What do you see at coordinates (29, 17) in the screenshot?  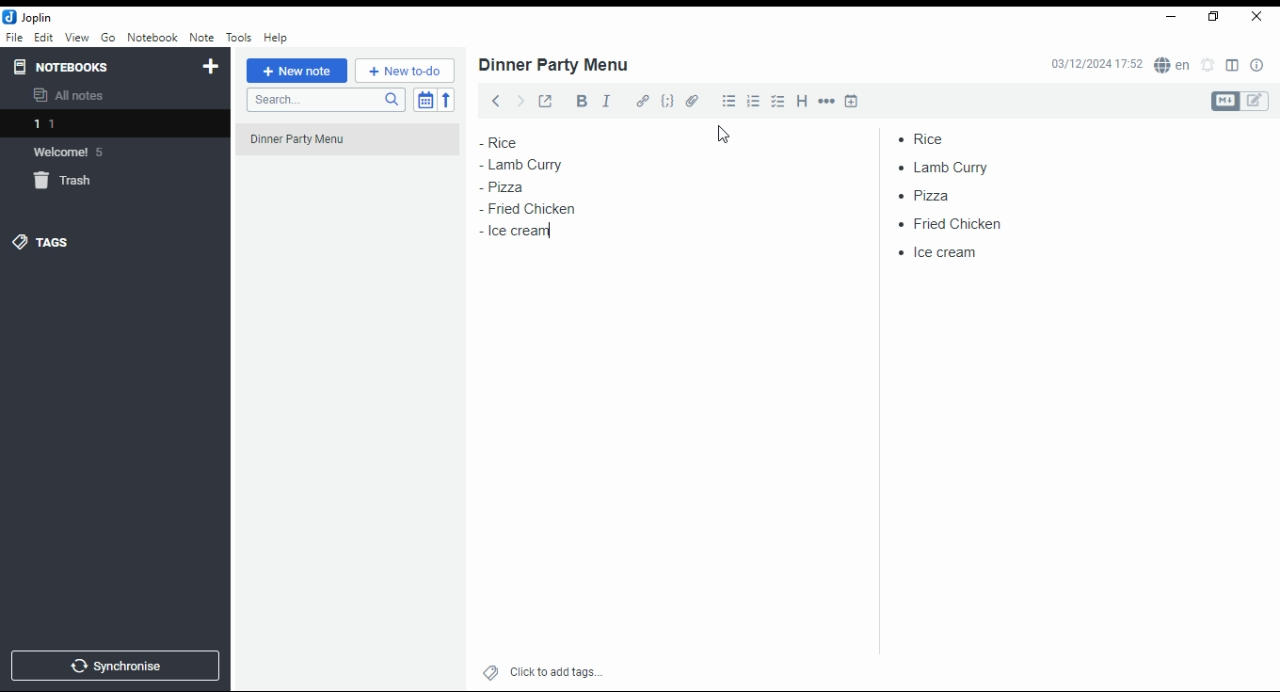 I see `Joplin` at bounding box center [29, 17].